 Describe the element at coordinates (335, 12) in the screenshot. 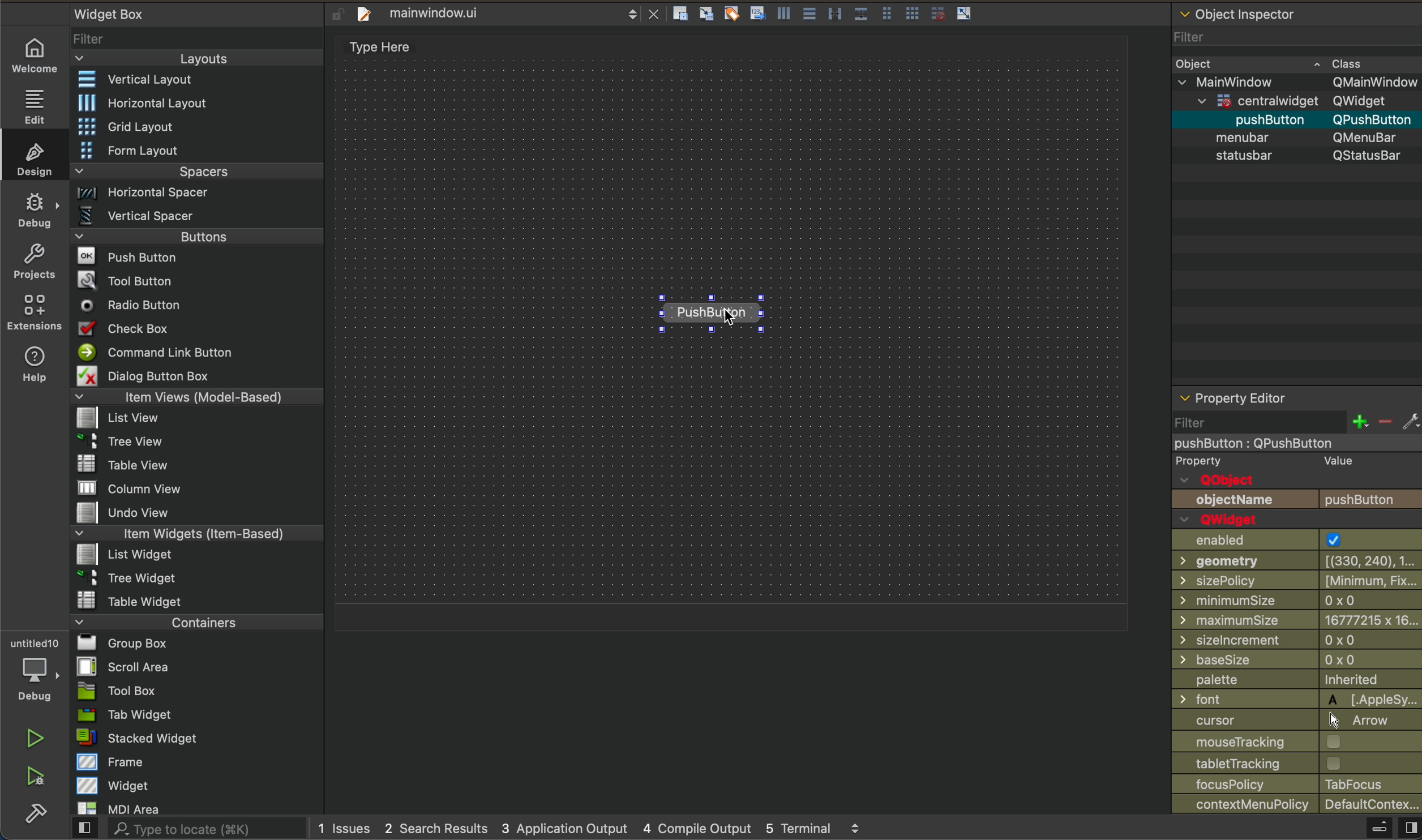

I see `lock` at that location.